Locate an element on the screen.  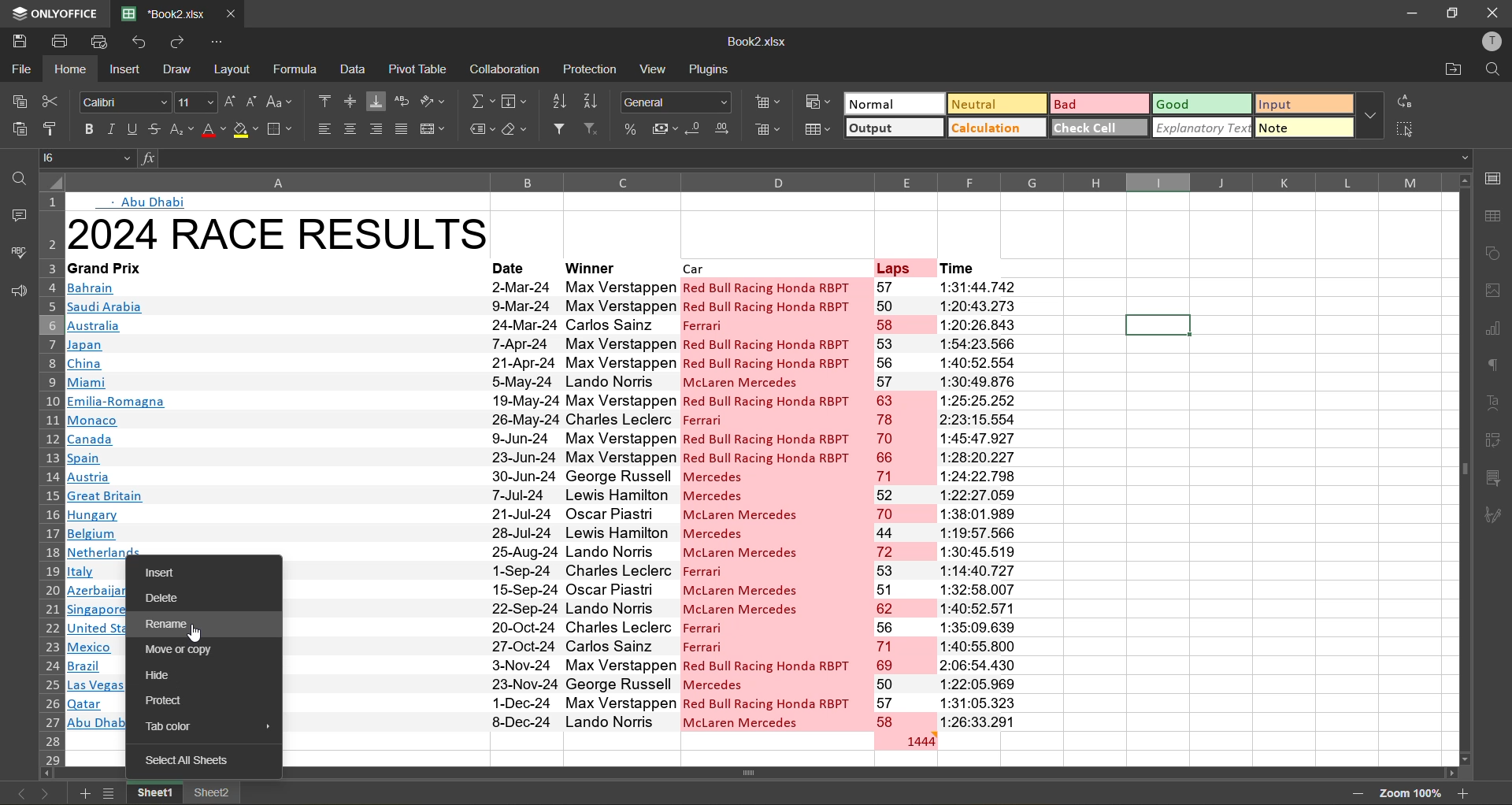
insert is located at coordinates (124, 69).